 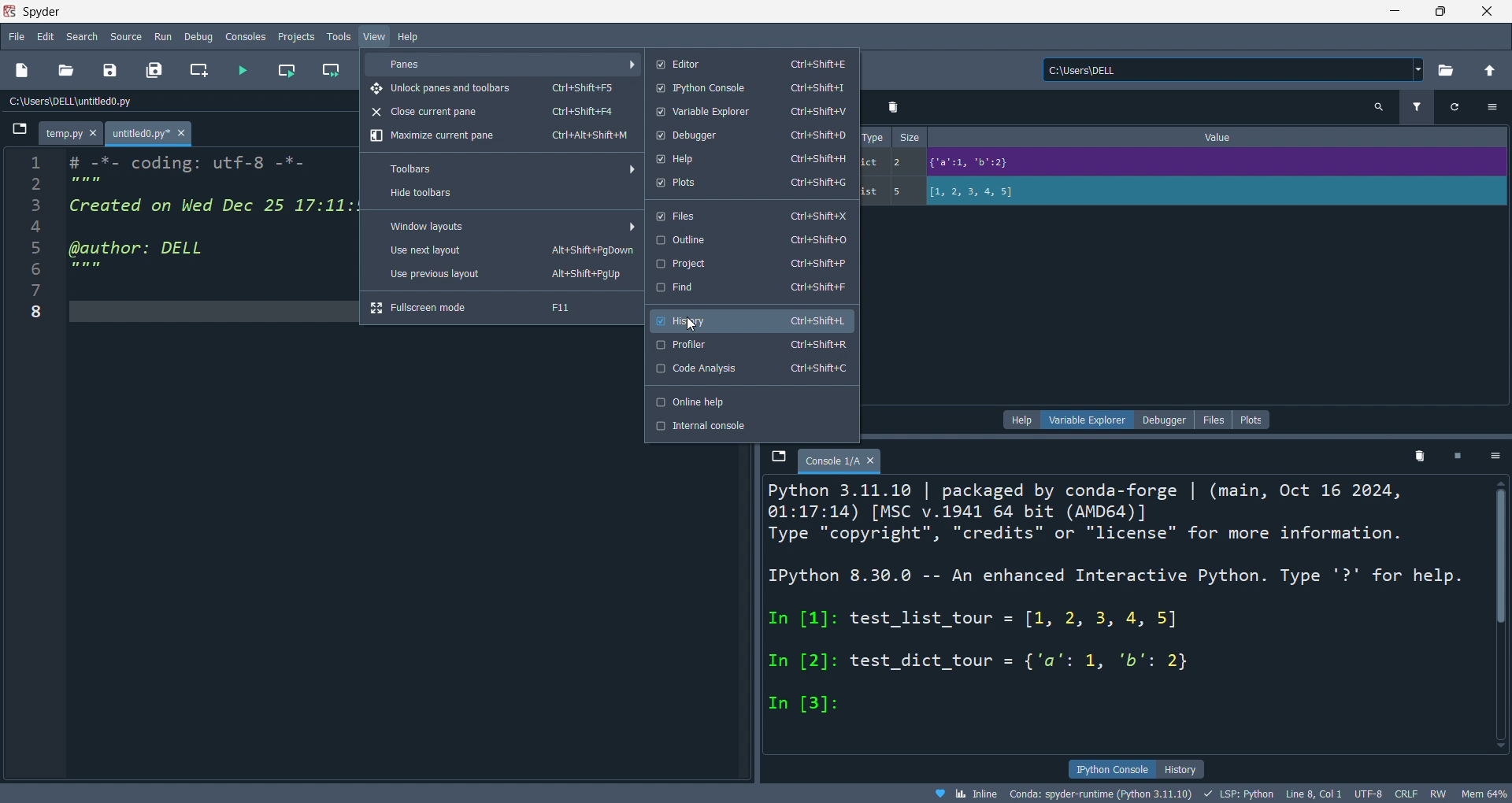 What do you see at coordinates (750, 264) in the screenshot?
I see `project` at bounding box center [750, 264].